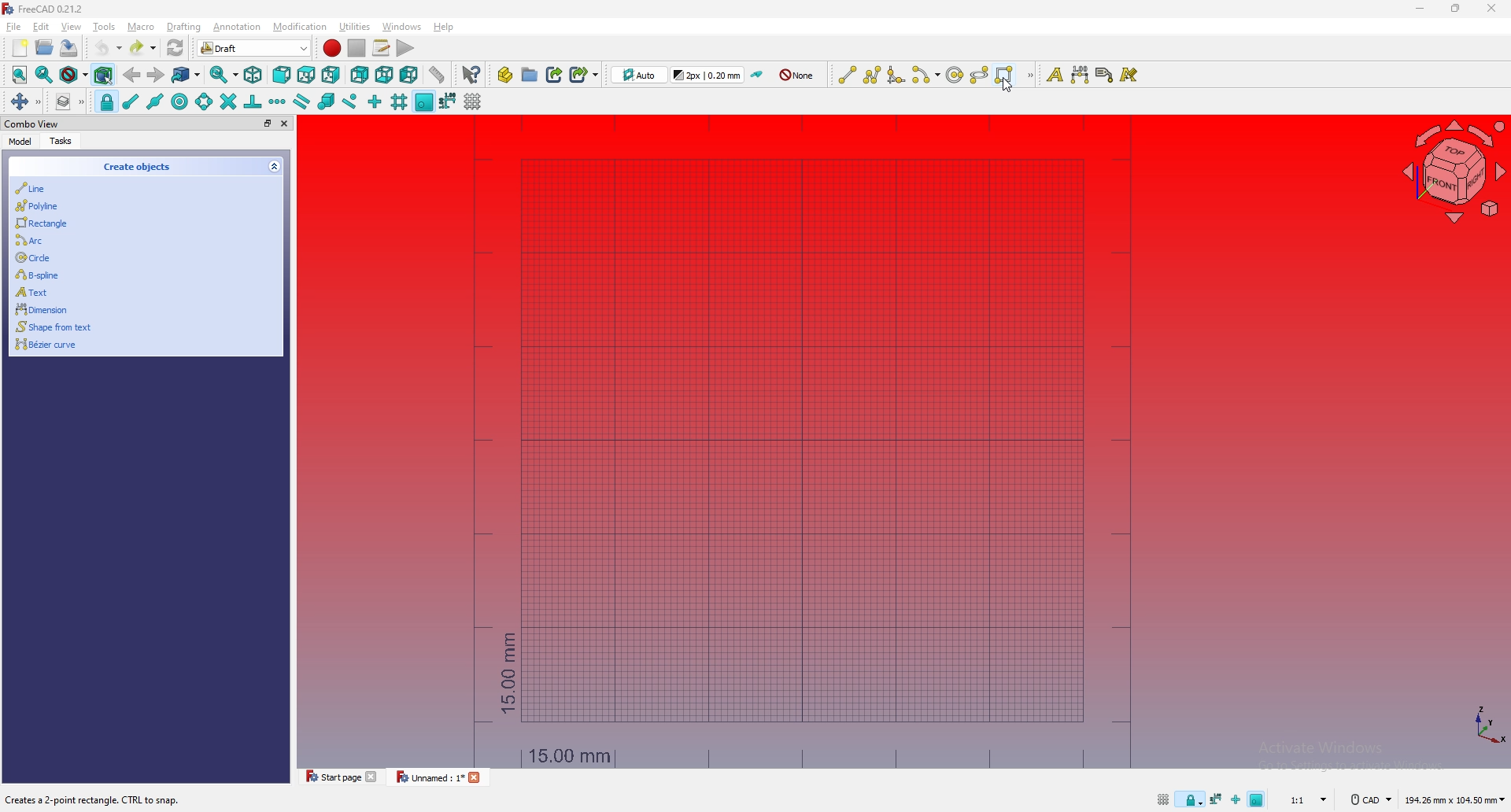 The height and width of the screenshot is (812, 1511). I want to click on resize, so click(1455, 9).